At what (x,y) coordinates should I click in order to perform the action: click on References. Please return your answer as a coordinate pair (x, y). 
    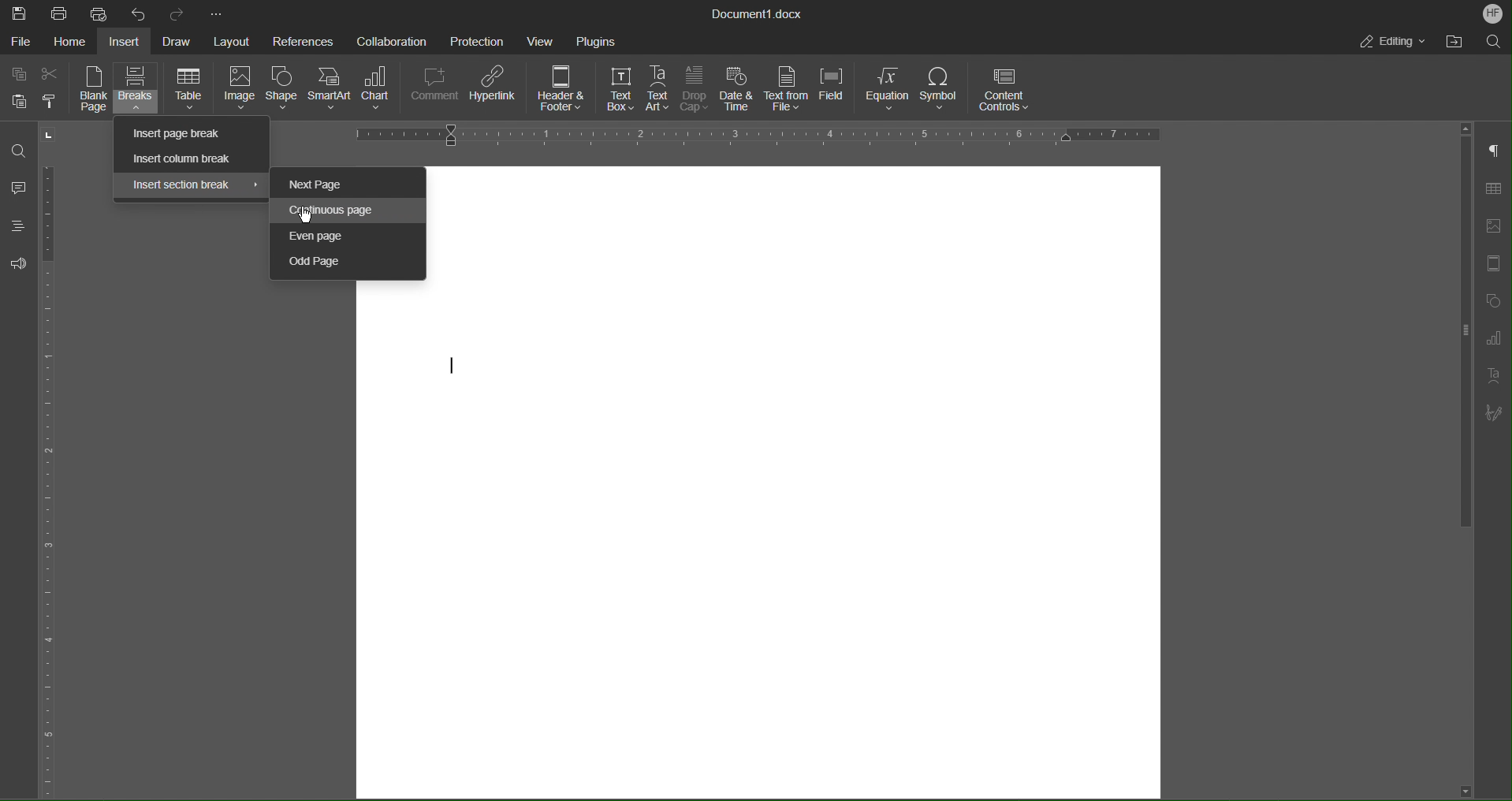
    Looking at the image, I should click on (301, 39).